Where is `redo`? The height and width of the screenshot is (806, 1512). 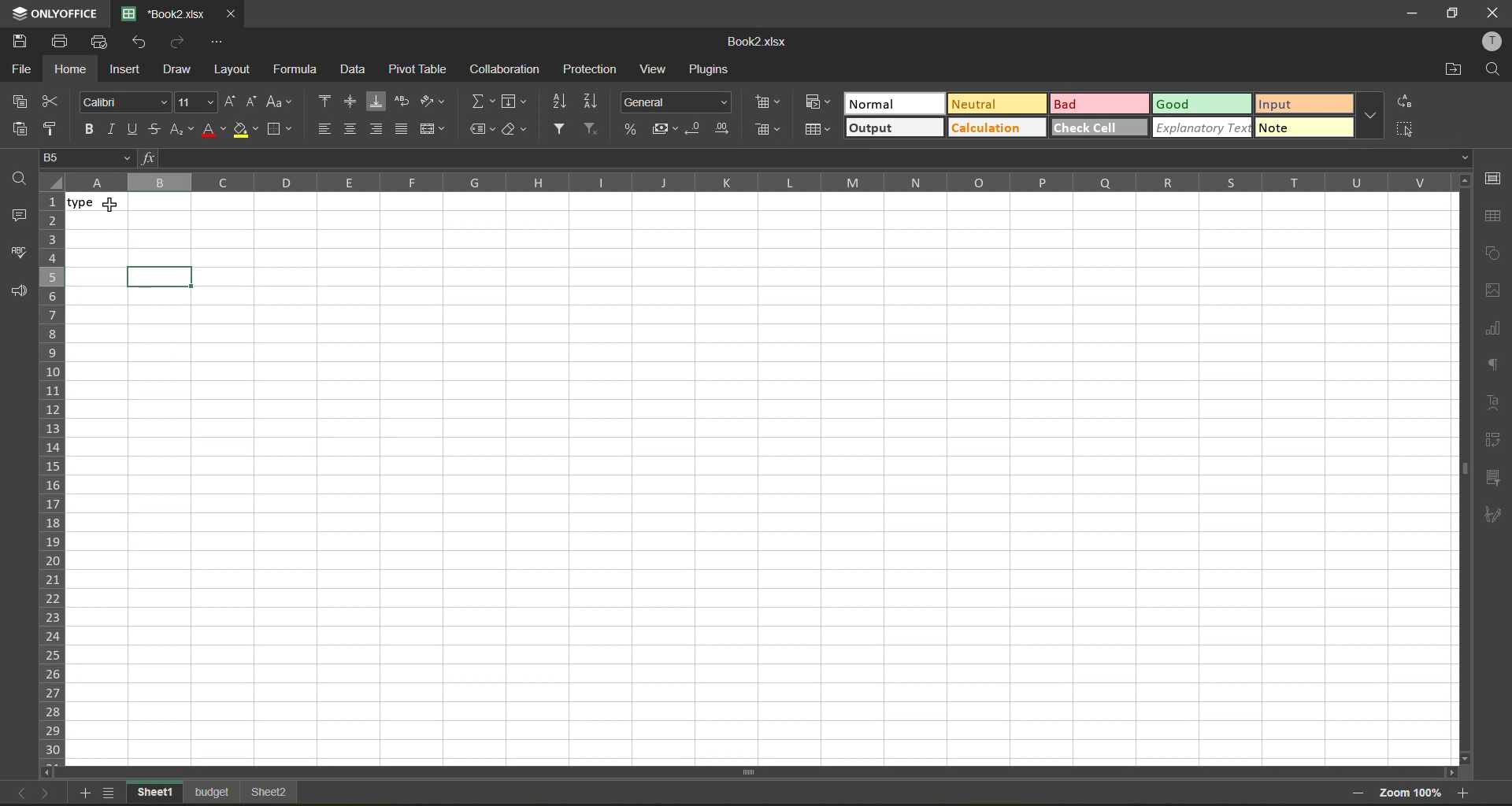
redo is located at coordinates (179, 44).